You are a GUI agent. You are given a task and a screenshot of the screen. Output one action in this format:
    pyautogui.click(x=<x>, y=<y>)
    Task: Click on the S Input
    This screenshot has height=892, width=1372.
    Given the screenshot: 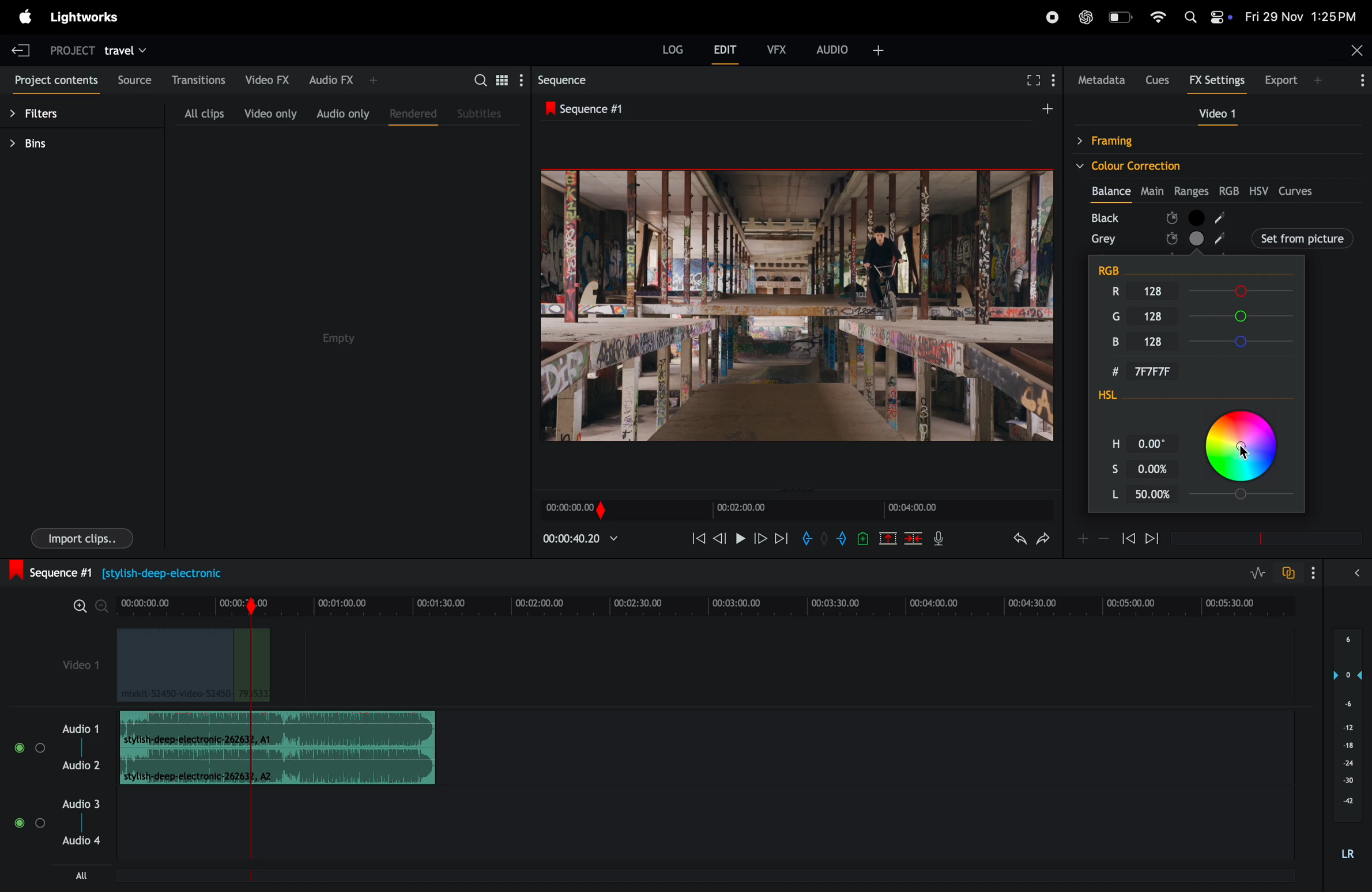 What is the action you would take?
    pyautogui.click(x=1156, y=467)
    